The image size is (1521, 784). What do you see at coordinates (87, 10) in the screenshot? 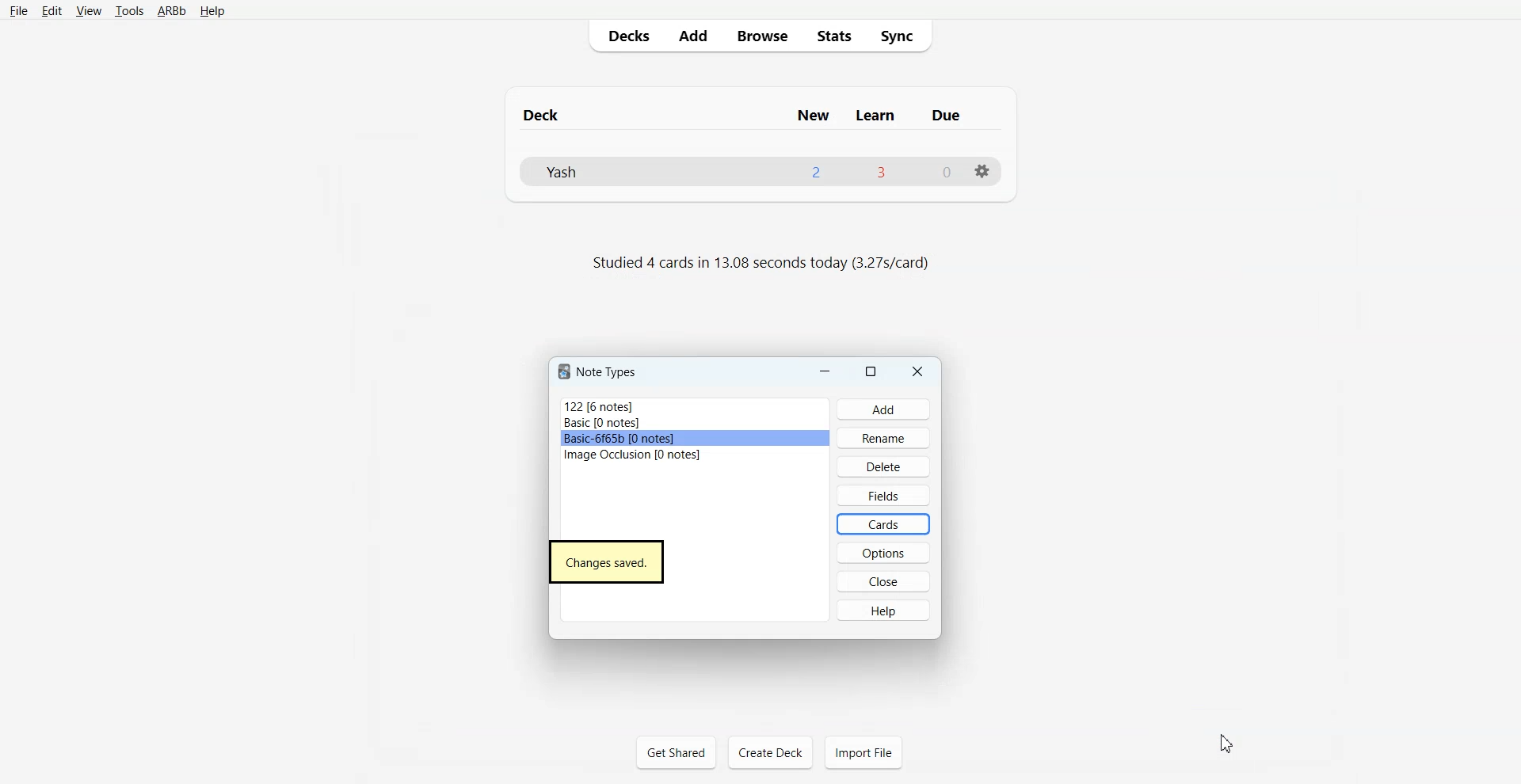
I see `View` at bounding box center [87, 10].